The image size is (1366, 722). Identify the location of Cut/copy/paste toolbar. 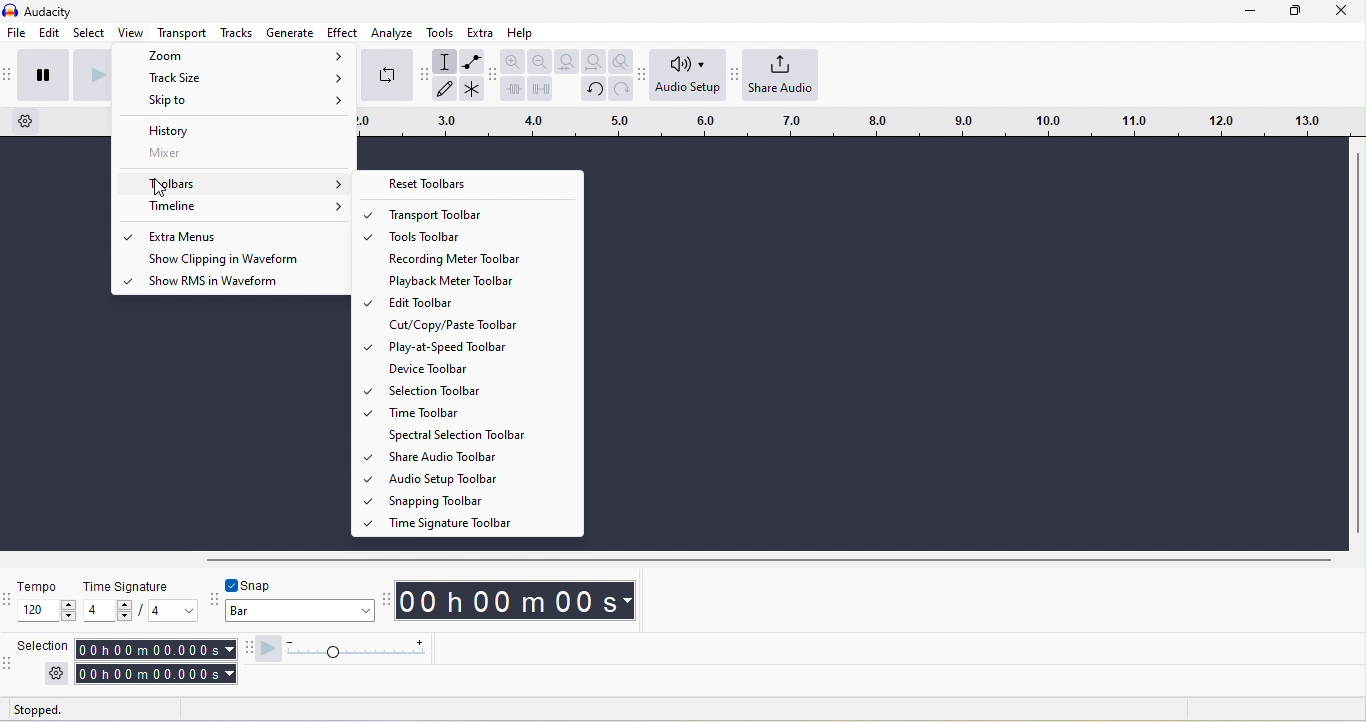
(480, 324).